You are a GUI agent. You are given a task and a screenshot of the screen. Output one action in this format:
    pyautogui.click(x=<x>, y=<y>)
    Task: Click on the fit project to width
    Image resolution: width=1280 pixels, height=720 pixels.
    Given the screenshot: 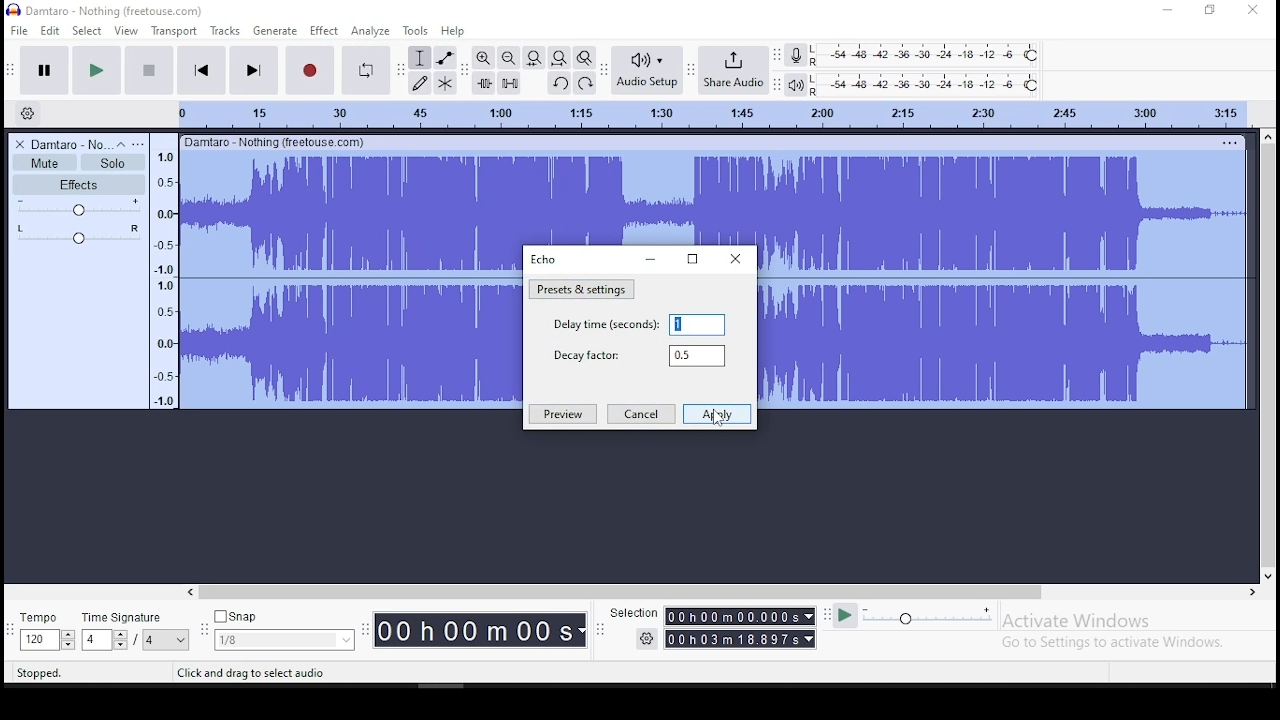 What is the action you would take?
    pyautogui.click(x=534, y=58)
    